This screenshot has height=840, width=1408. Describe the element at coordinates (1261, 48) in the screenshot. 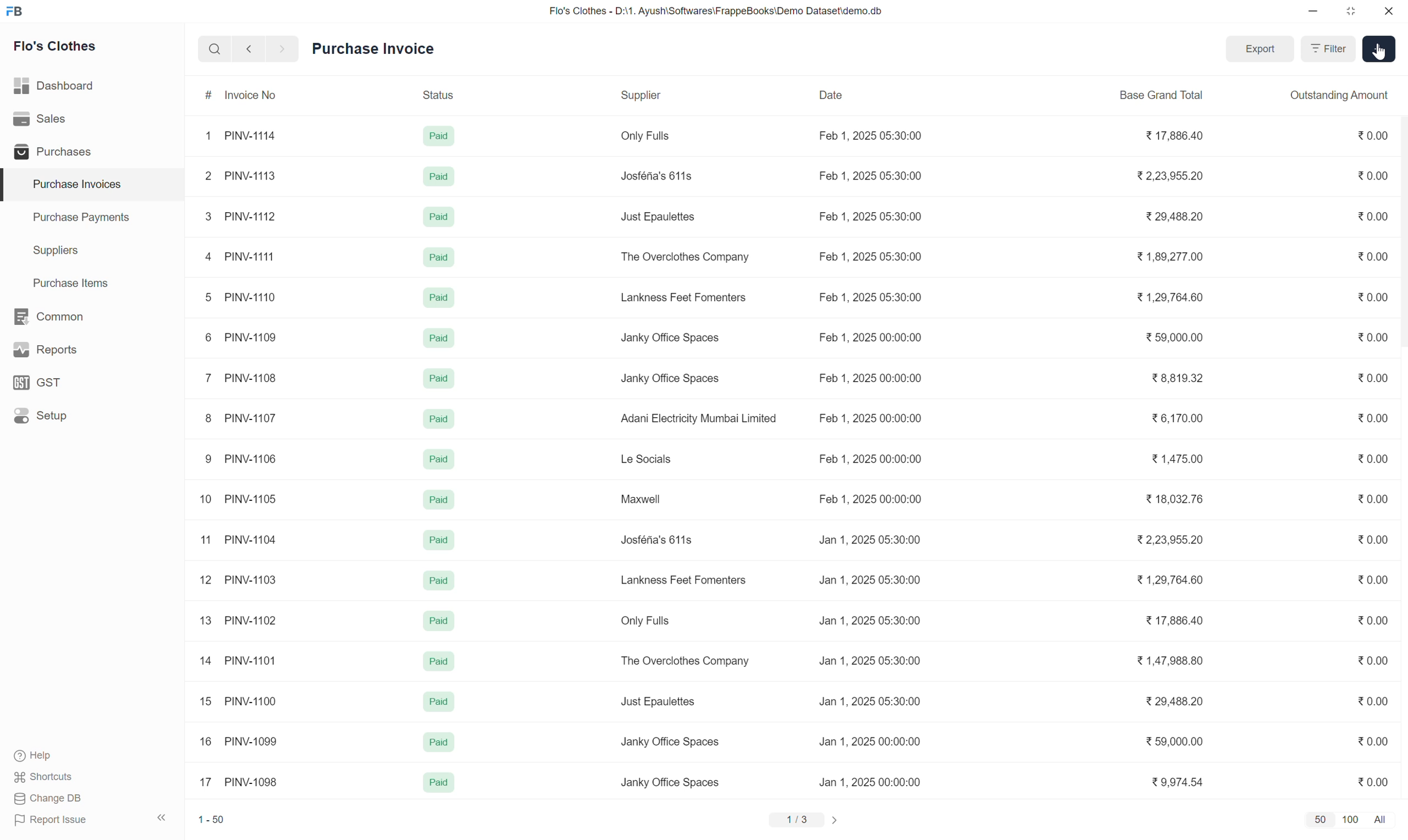

I see `Export` at that location.